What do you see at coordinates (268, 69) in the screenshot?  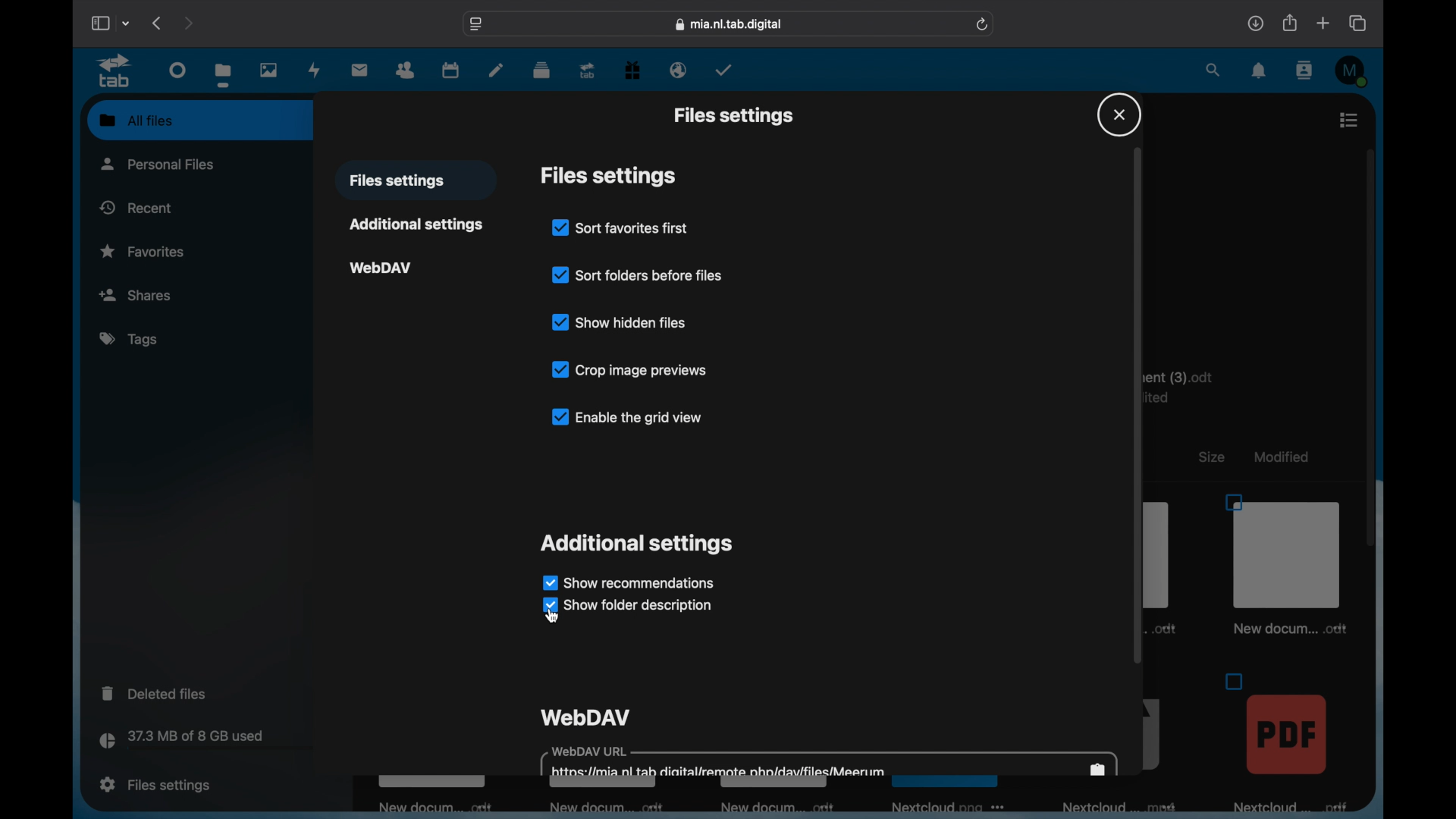 I see `photos` at bounding box center [268, 69].